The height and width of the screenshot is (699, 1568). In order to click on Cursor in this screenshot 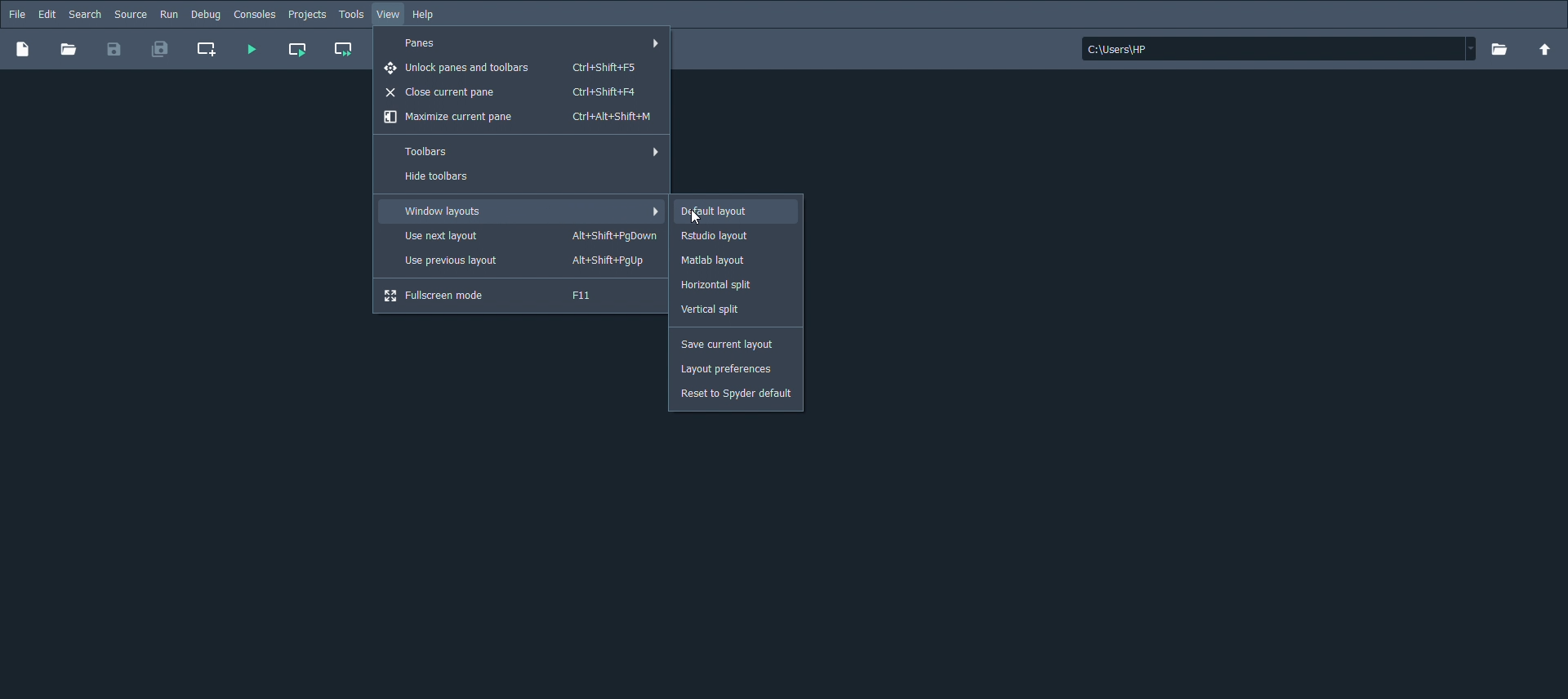, I will do `click(695, 219)`.